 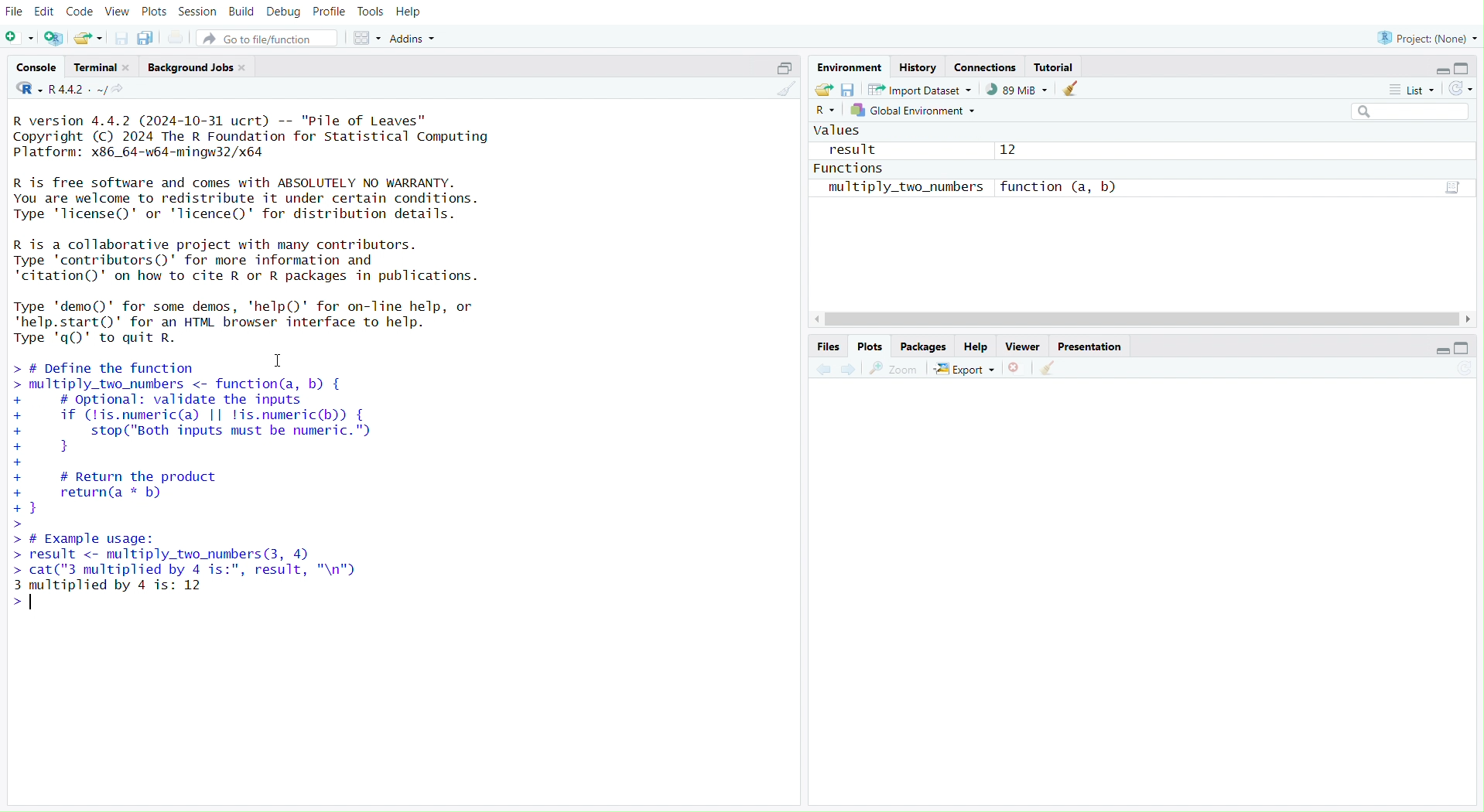 I want to click on Code, so click(x=79, y=12).